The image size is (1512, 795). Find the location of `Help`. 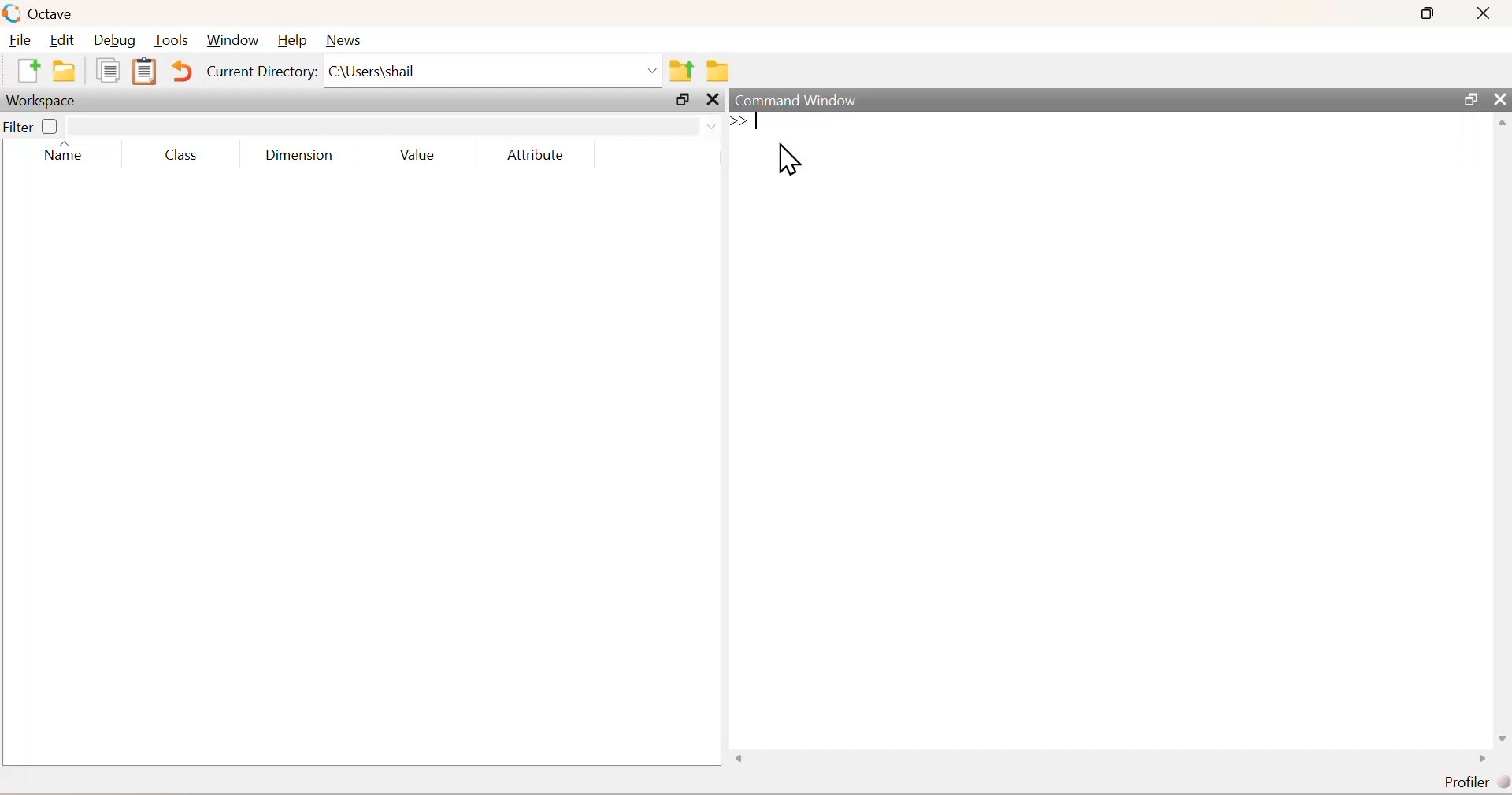

Help is located at coordinates (292, 39).